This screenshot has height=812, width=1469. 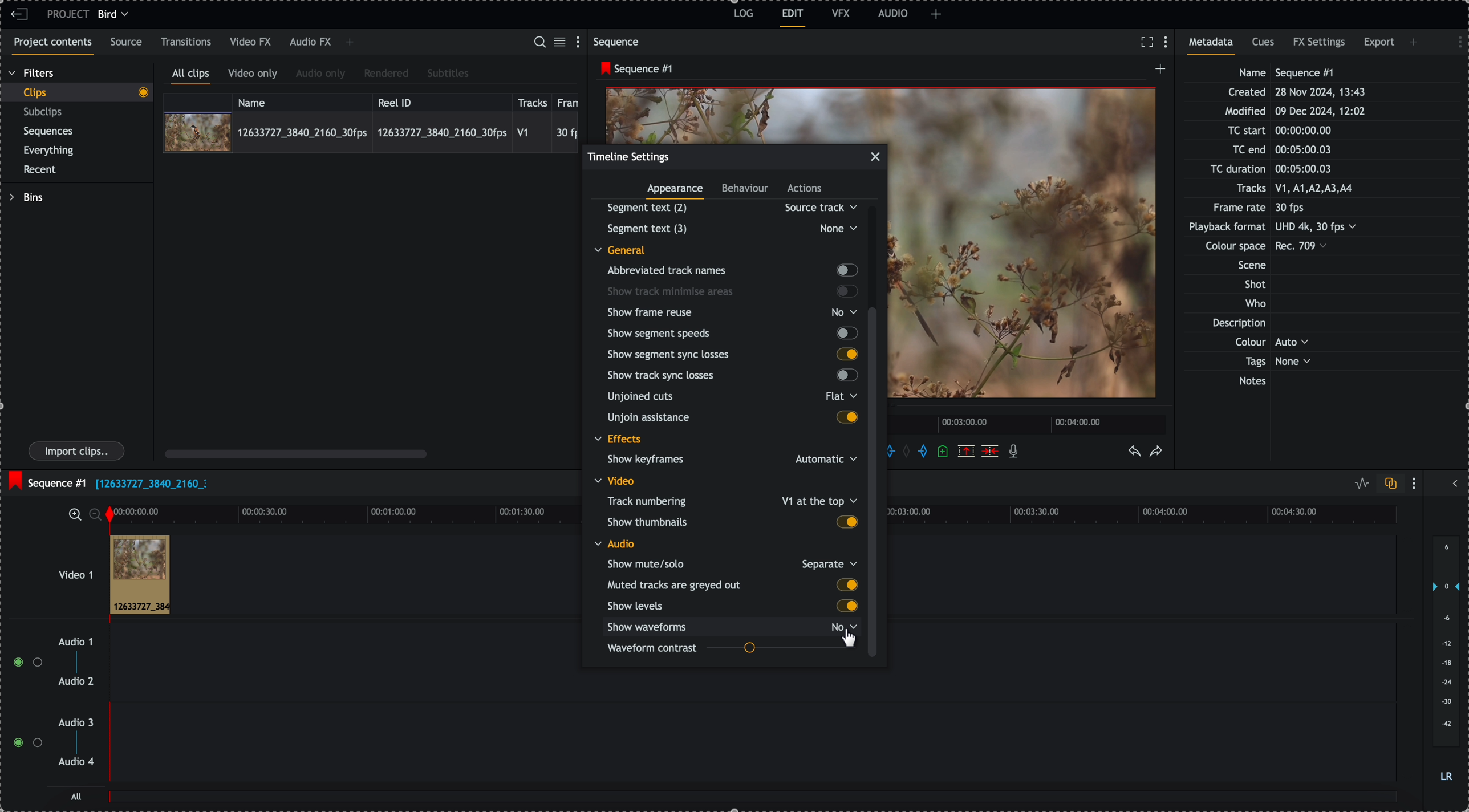 What do you see at coordinates (752, 688) in the screenshot?
I see `track audio` at bounding box center [752, 688].